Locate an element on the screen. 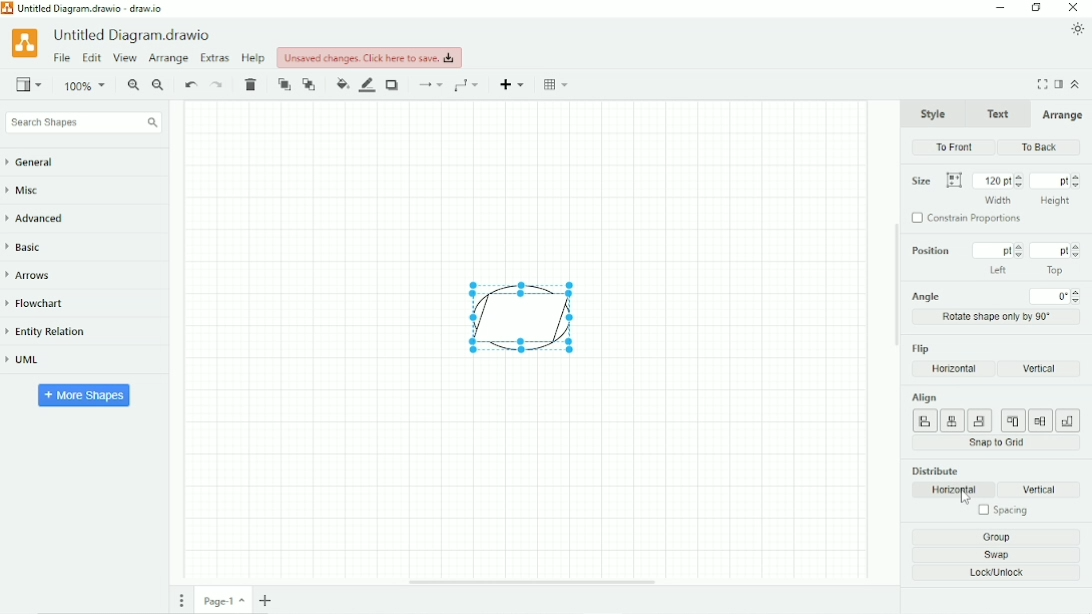 This screenshot has height=614, width=1092. Flowchart is located at coordinates (43, 304).